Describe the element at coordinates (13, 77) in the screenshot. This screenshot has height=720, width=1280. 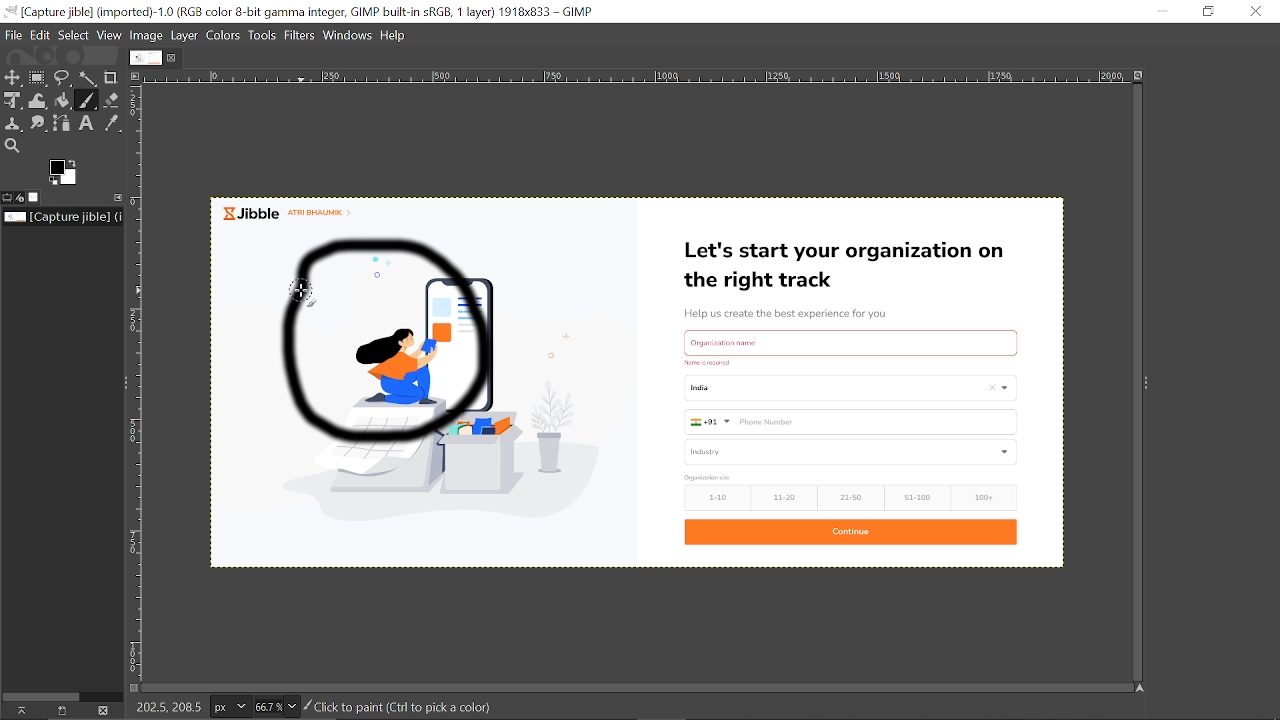
I see `Move tool` at that location.